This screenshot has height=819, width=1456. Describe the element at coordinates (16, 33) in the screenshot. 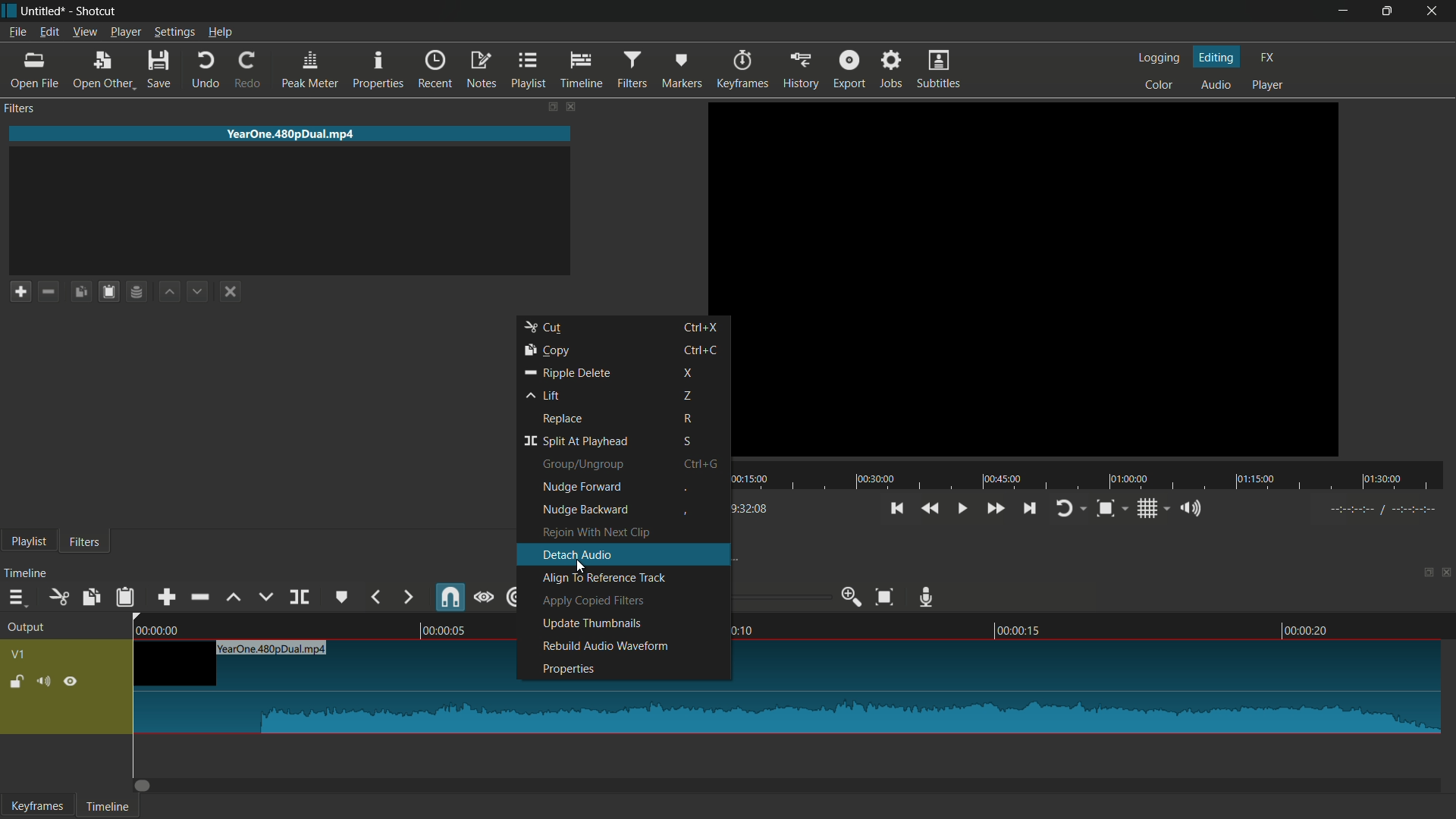

I see `file menu` at that location.